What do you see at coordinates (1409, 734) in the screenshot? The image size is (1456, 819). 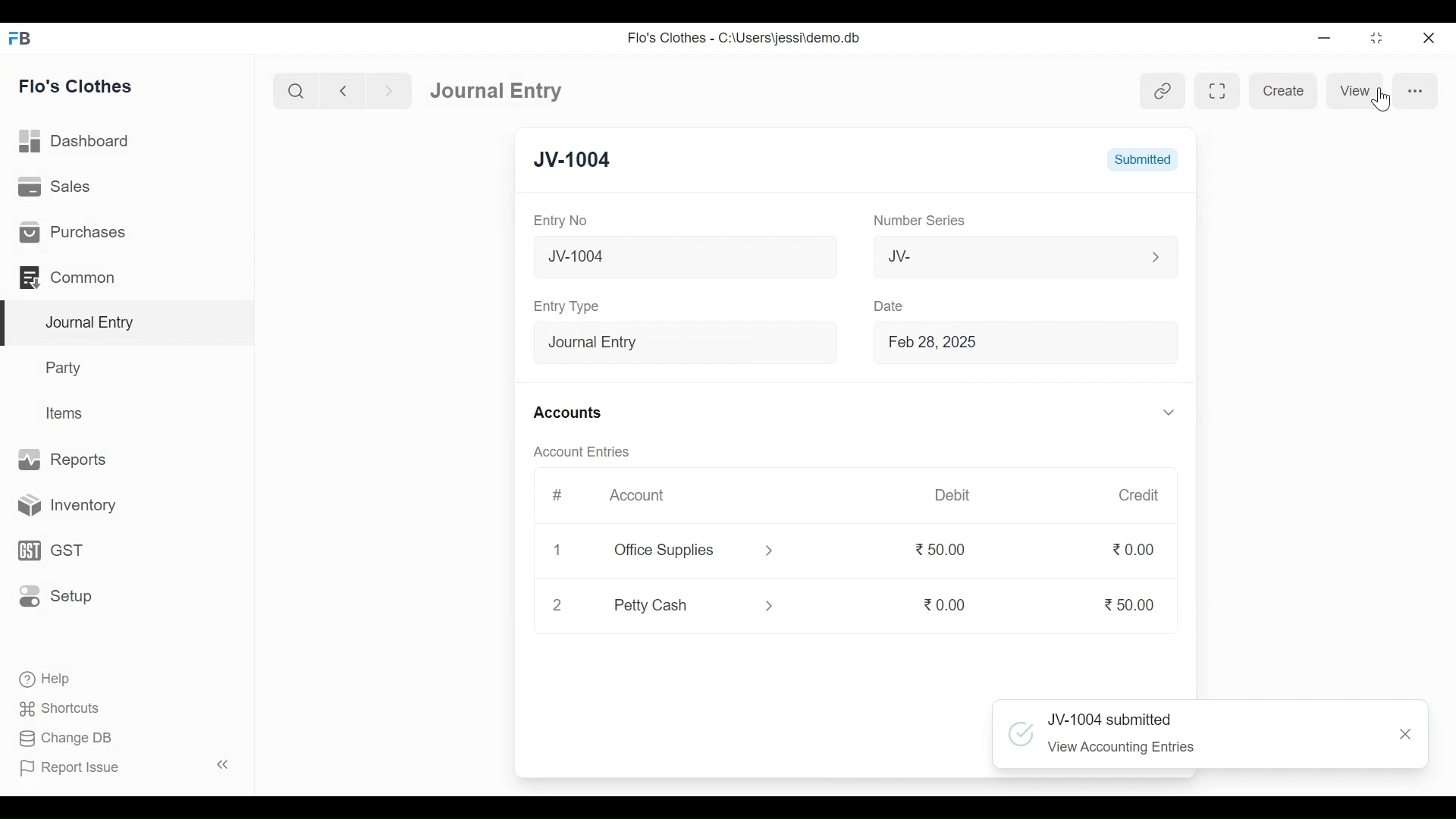 I see `Close` at bounding box center [1409, 734].